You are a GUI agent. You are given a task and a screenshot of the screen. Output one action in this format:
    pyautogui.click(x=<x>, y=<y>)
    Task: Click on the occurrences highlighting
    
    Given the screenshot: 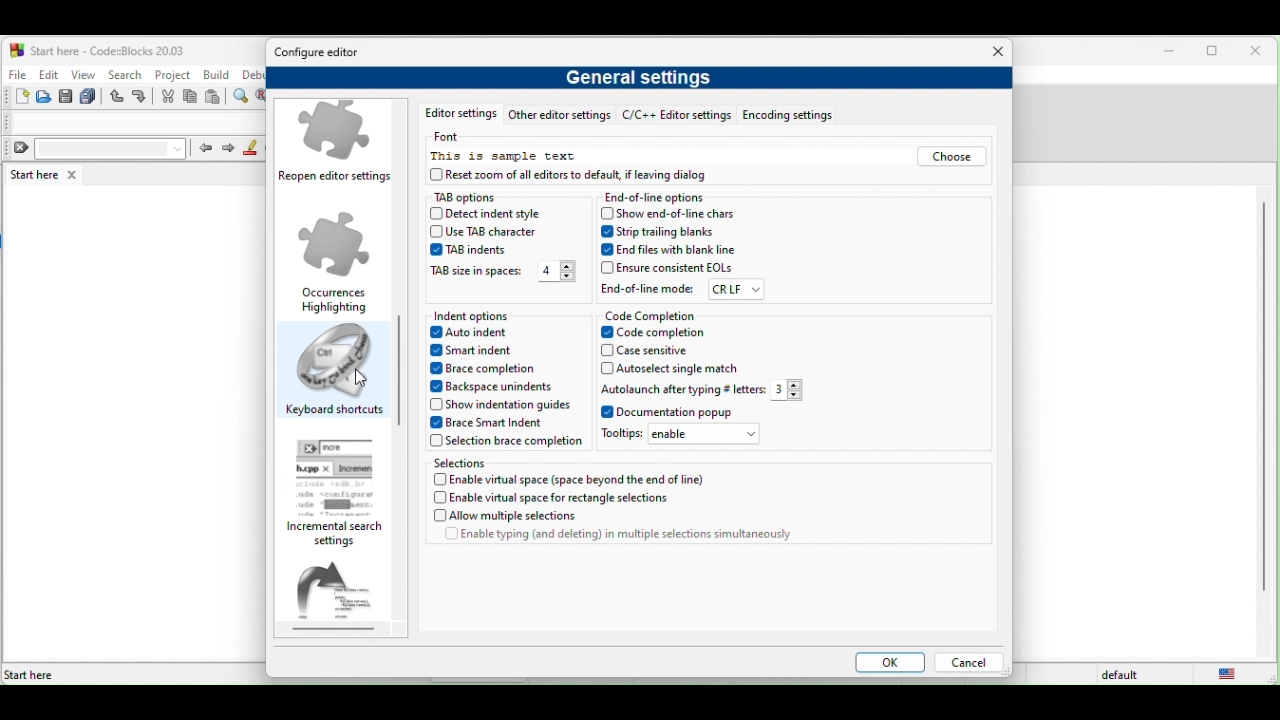 What is the action you would take?
    pyautogui.click(x=335, y=261)
    